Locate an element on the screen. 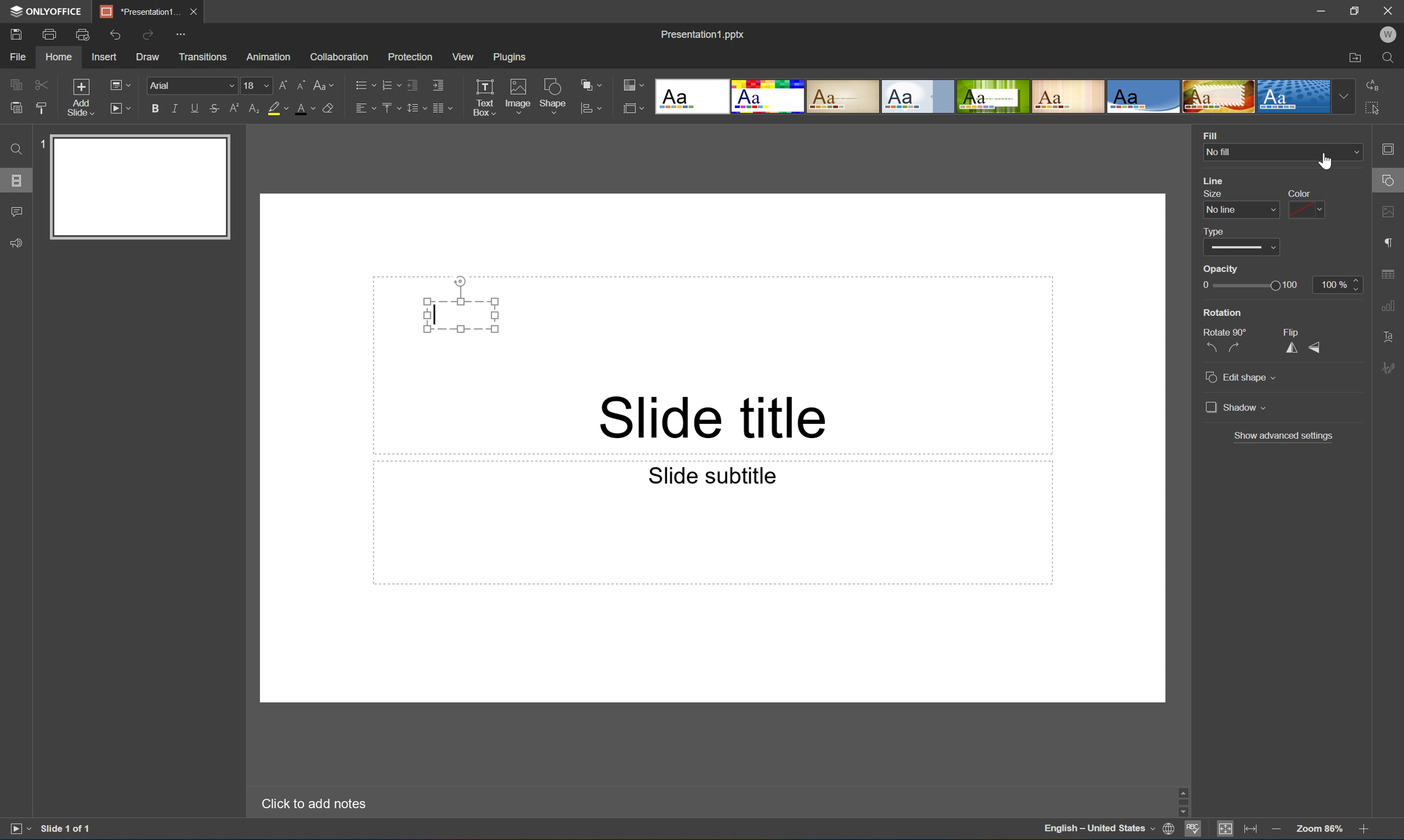 The width and height of the screenshot is (1404, 840). Change case is located at coordinates (324, 82).